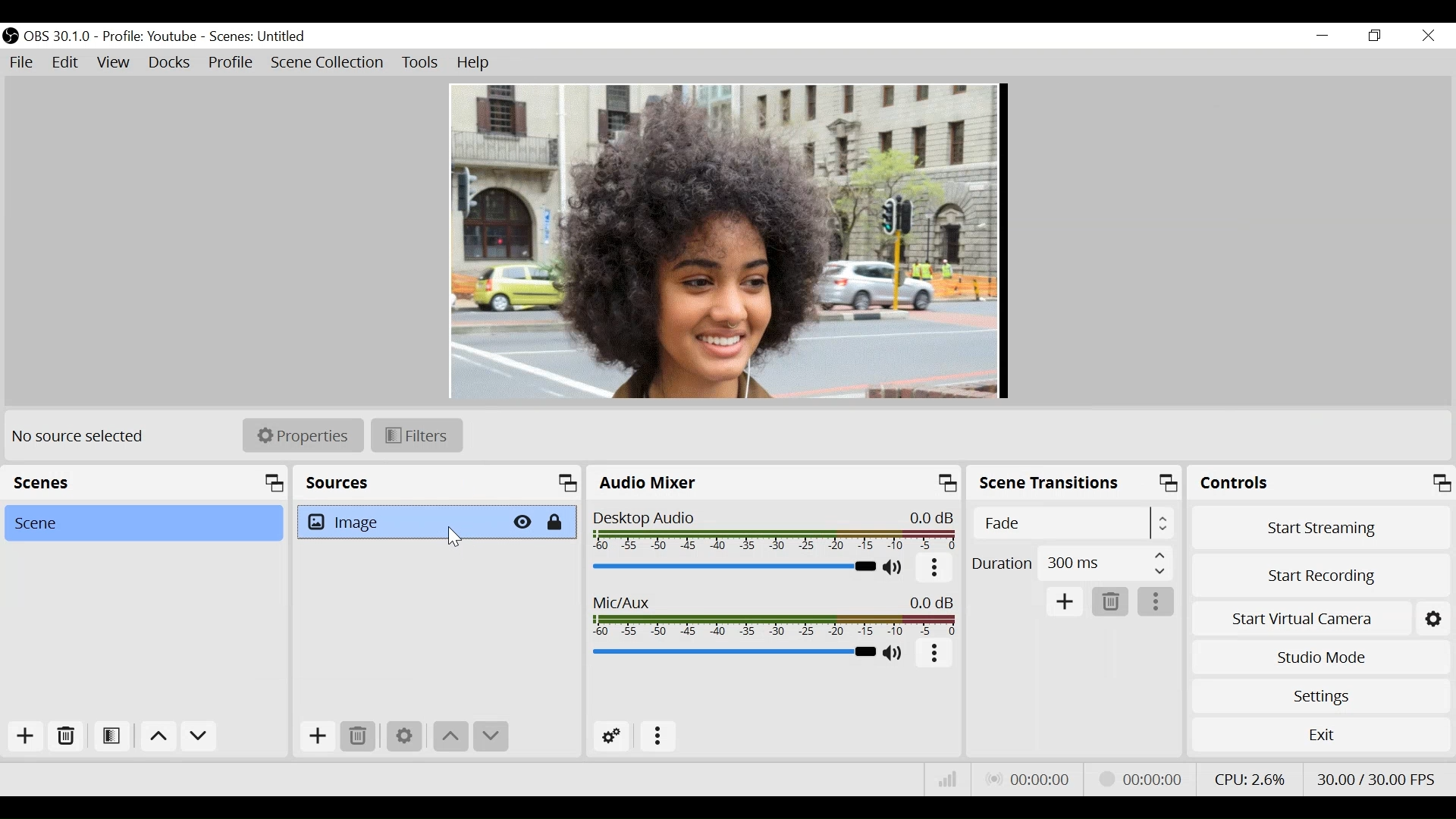 The image size is (1456, 819). What do you see at coordinates (612, 737) in the screenshot?
I see `Advanced Audio Settings` at bounding box center [612, 737].